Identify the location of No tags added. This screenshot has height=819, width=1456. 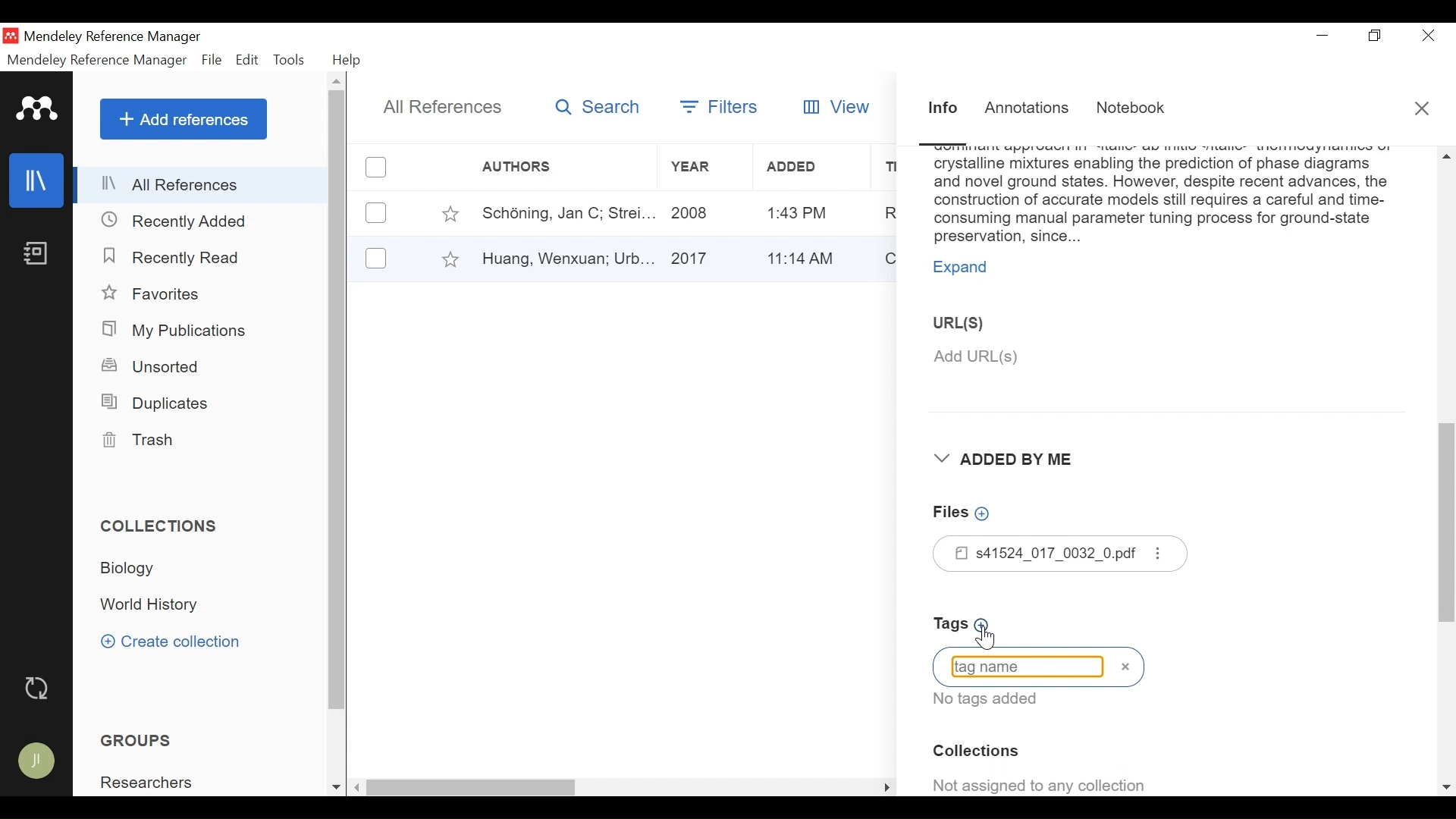
(993, 700).